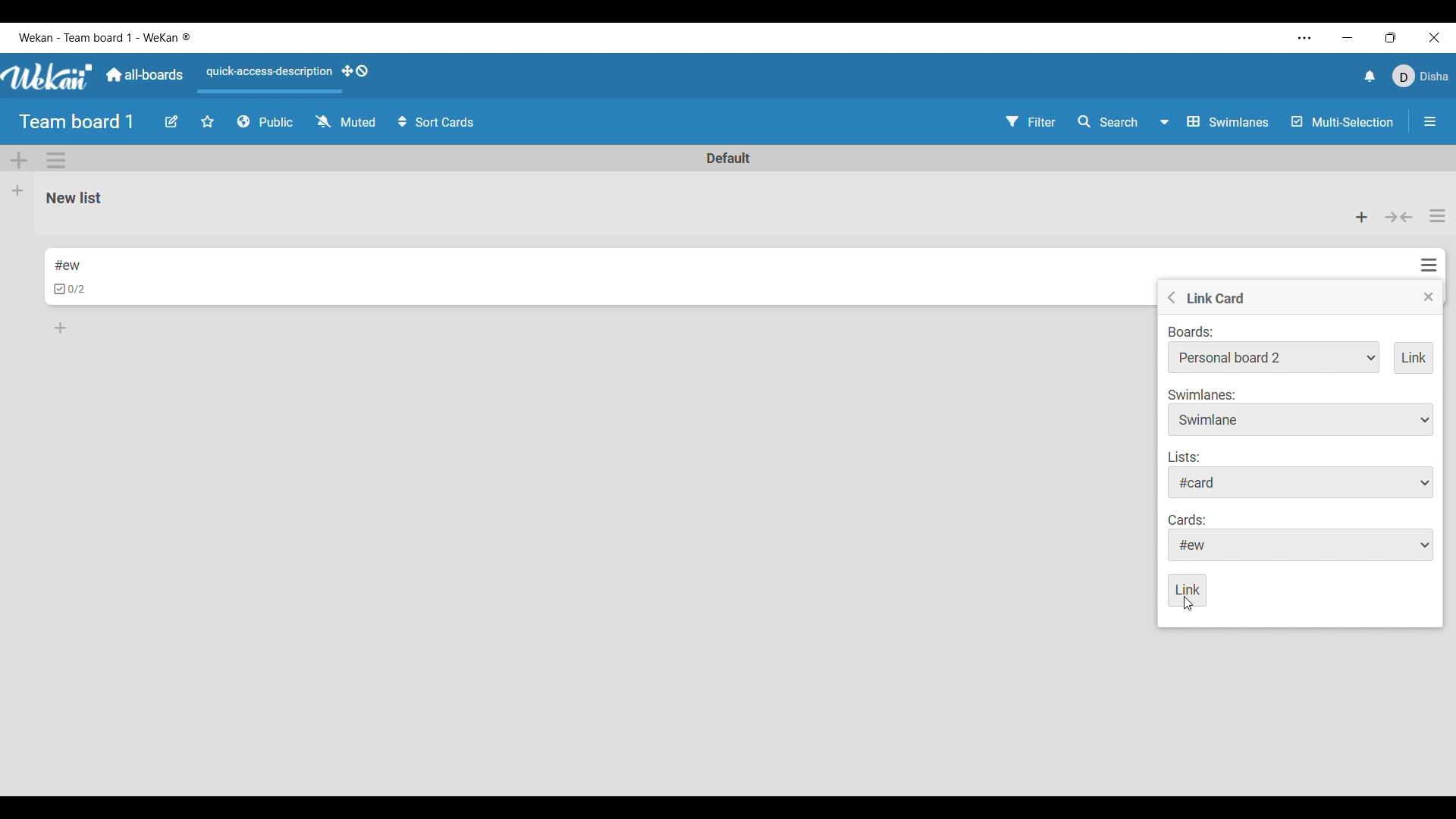  I want to click on List actions, so click(1438, 215).